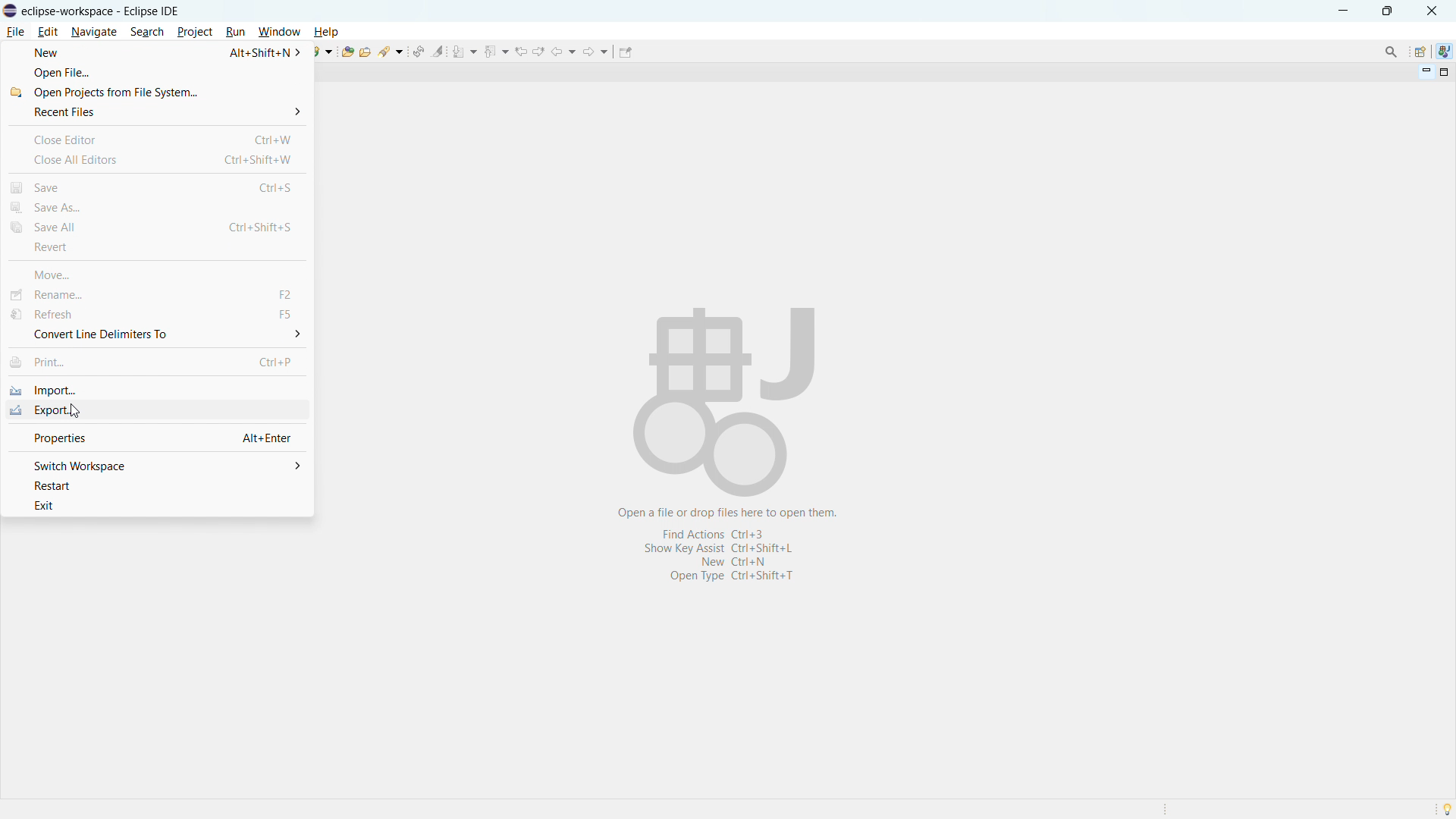 This screenshot has width=1456, height=819. I want to click on help, so click(325, 31).